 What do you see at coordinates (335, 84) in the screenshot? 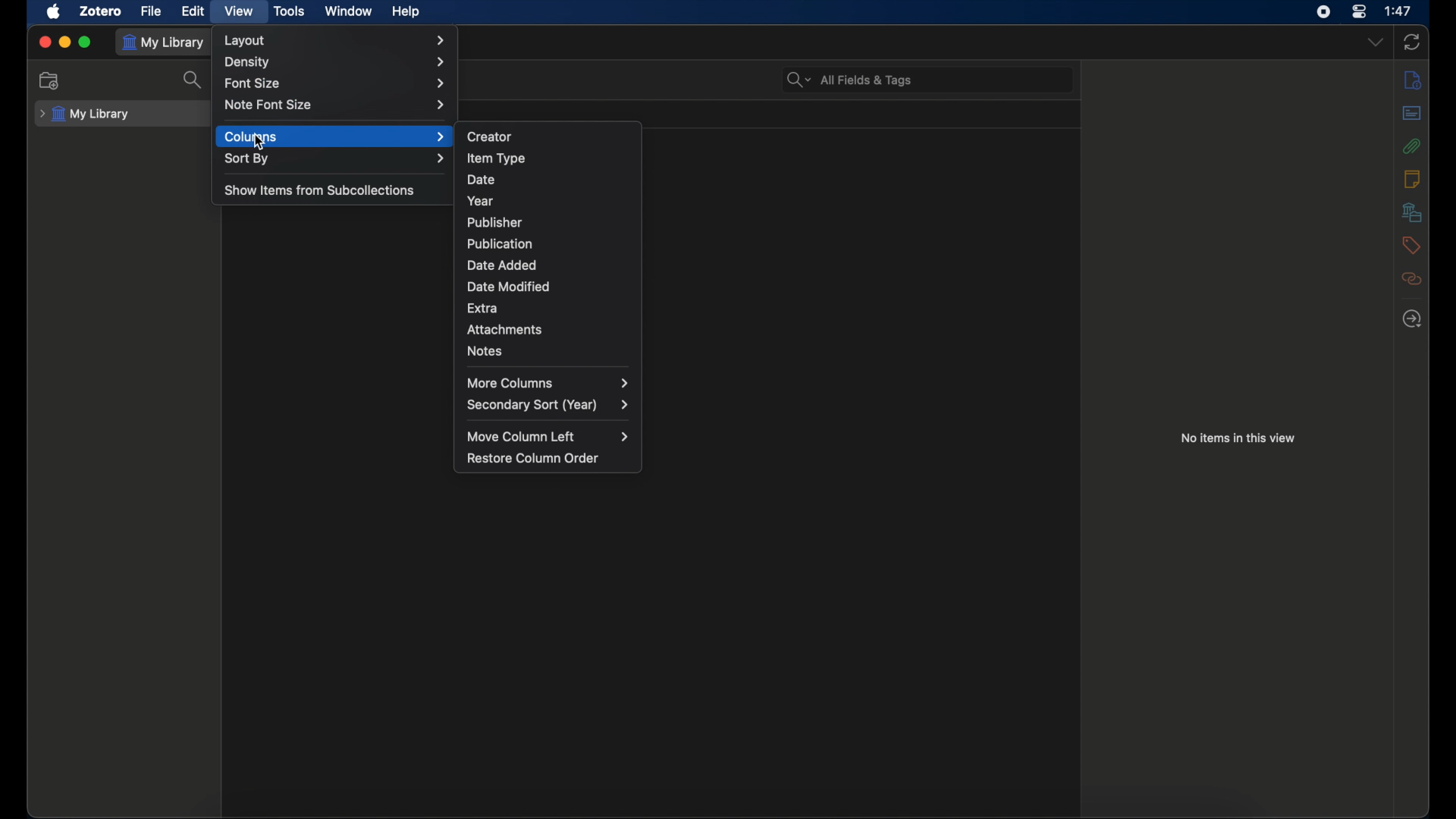
I see `font size` at bounding box center [335, 84].